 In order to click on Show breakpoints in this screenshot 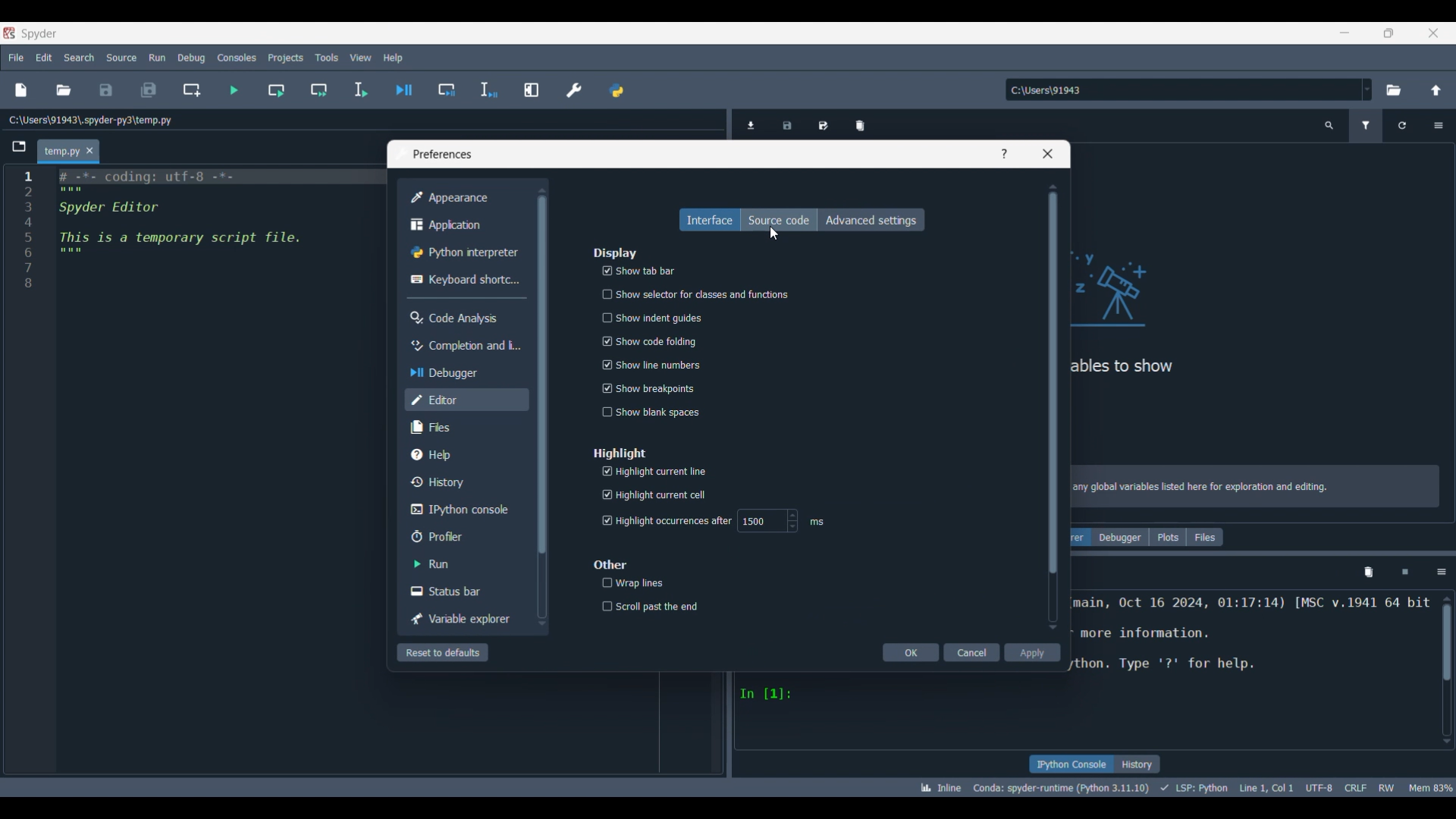, I will do `click(648, 389)`.